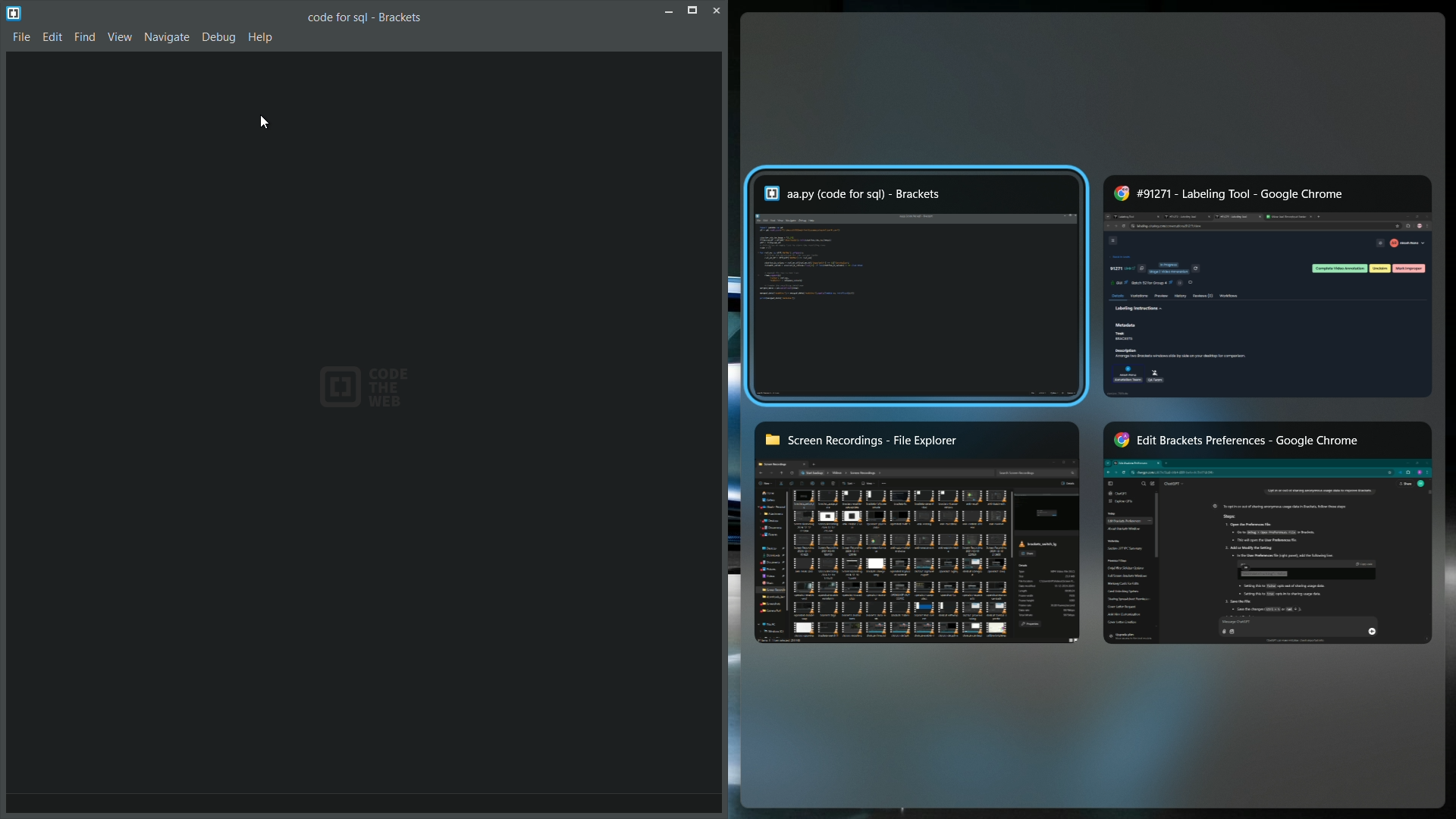 The height and width of the screenshot is (819, 1456). What do you see at coordinates (262, 121) in the screenshot?
I see `cursor on new bracket` at bounding box center [262, 121].